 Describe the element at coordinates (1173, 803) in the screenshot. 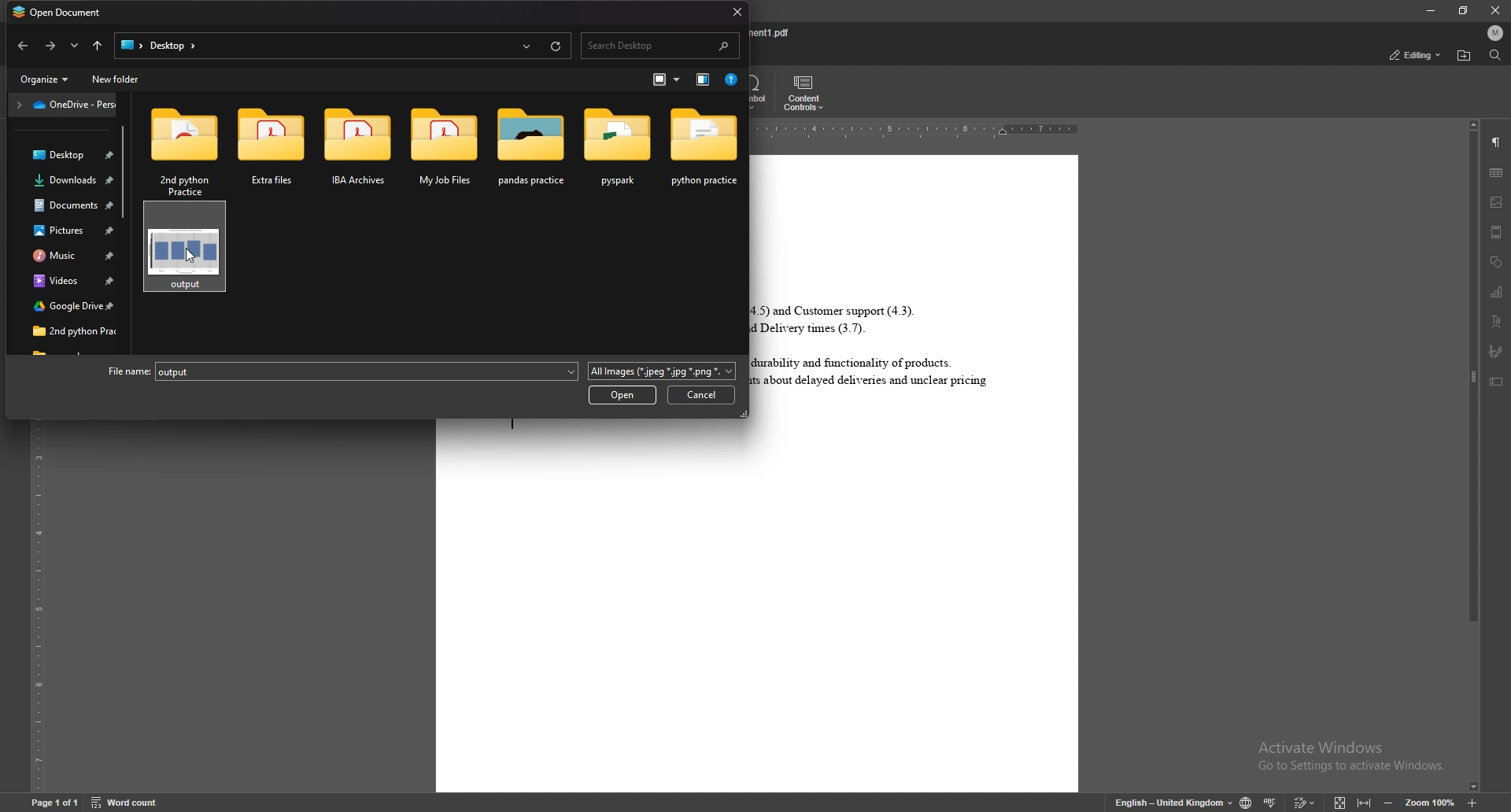

I see `change text language` at that location.